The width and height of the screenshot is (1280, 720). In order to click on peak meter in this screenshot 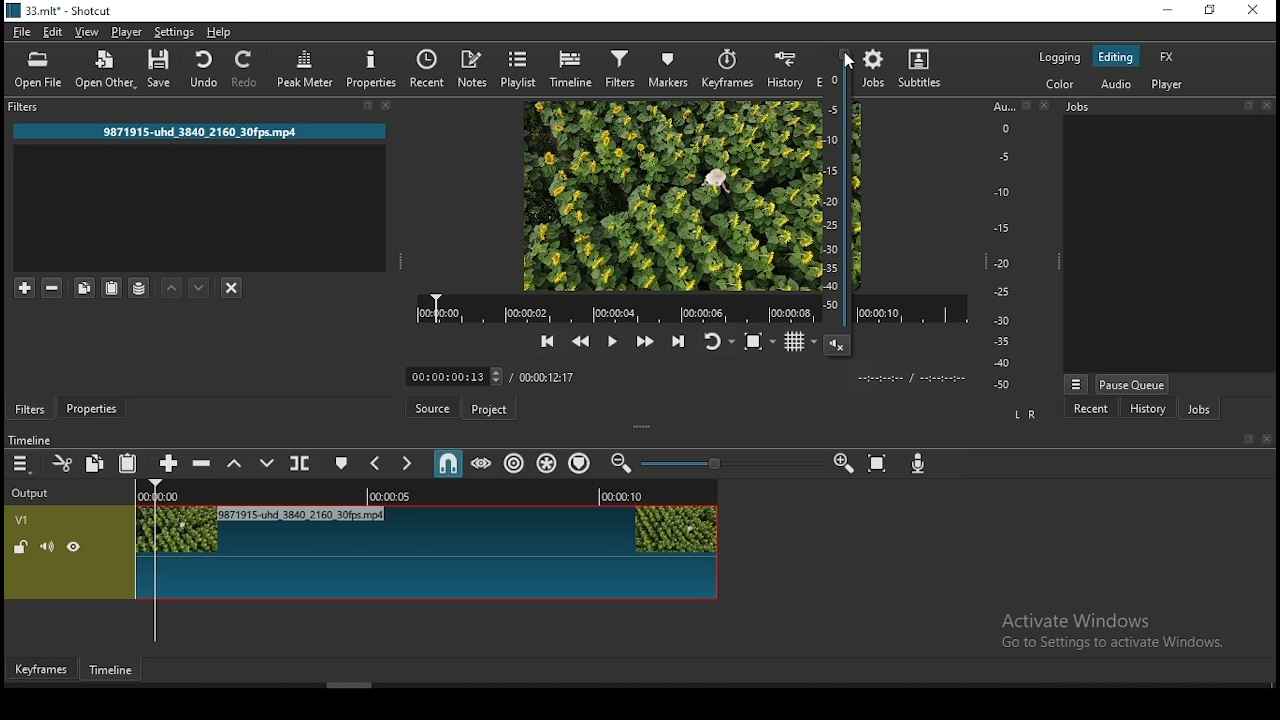, I will do `click(307, 70)`.